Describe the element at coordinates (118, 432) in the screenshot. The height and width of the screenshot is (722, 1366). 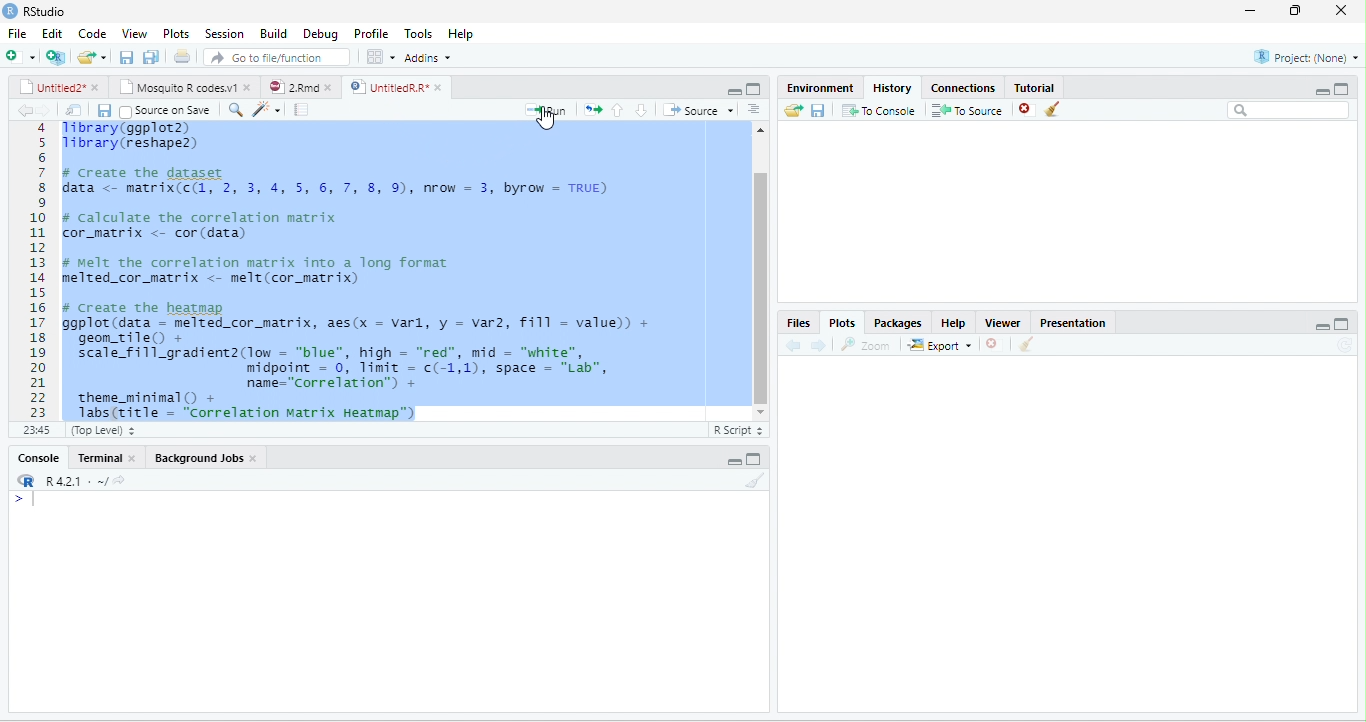
I see `top level` at that location.